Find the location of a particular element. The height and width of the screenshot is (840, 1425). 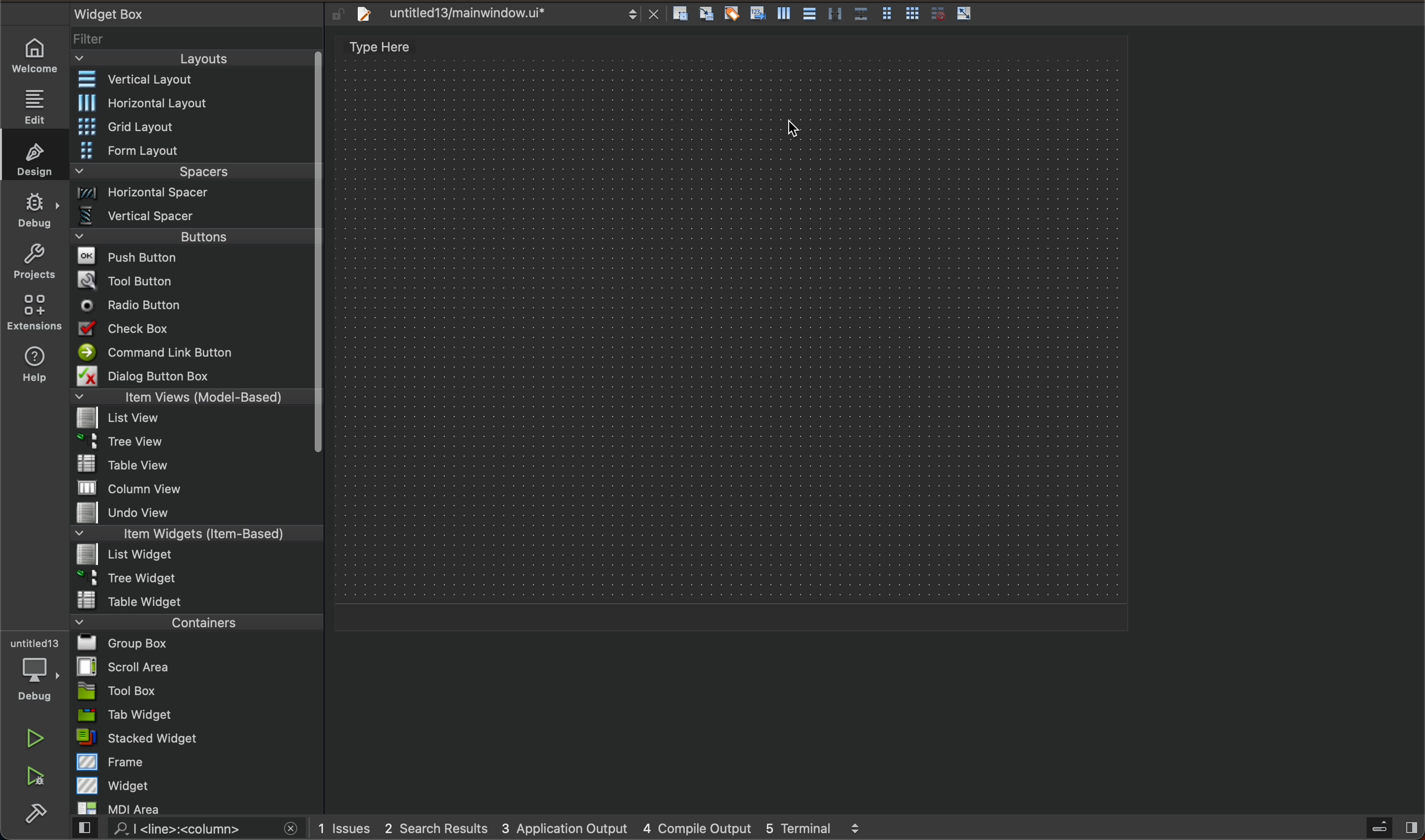

 is located at coordinates (938, 14).